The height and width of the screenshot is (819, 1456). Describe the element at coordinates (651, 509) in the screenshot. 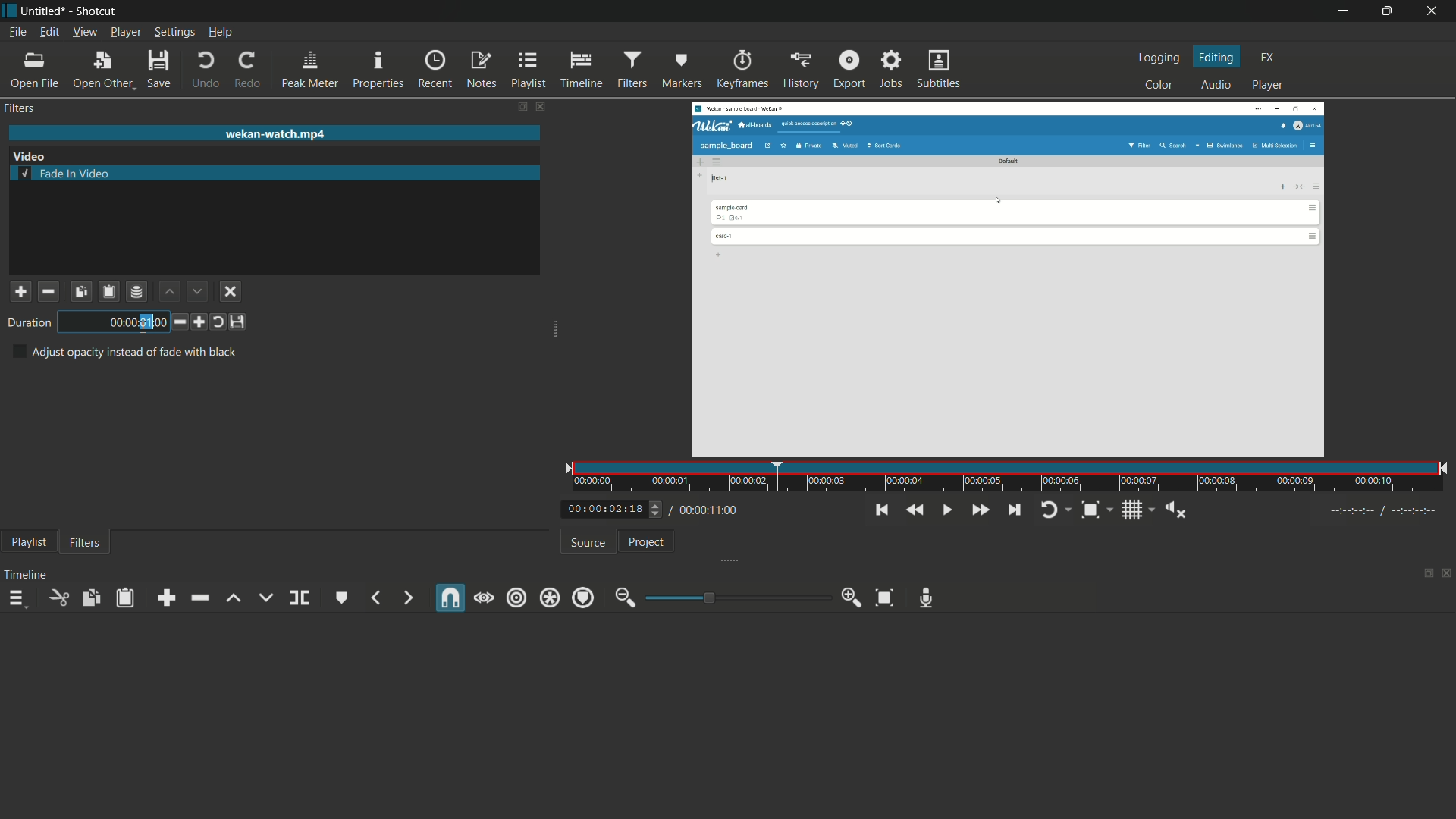

I see `adjust` at that location.